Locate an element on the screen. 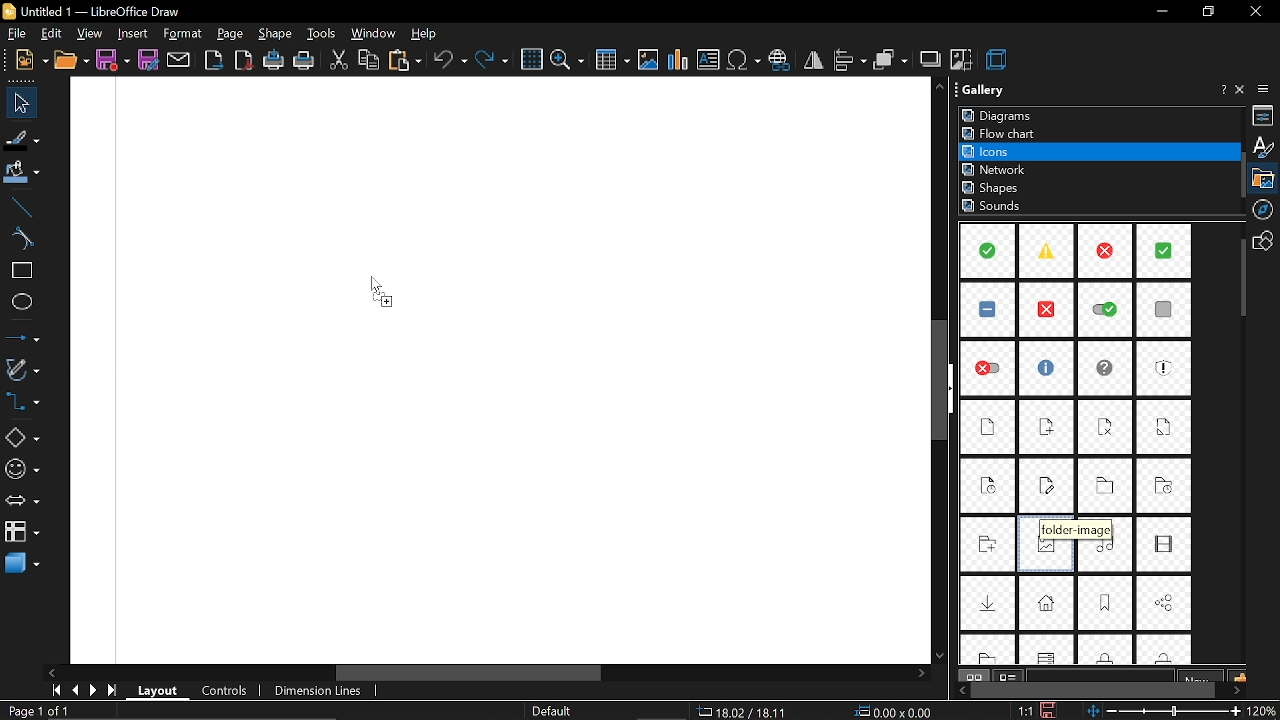 The width and height of the screenshot is (1280, 720). open is located at coordinates (71, 60).